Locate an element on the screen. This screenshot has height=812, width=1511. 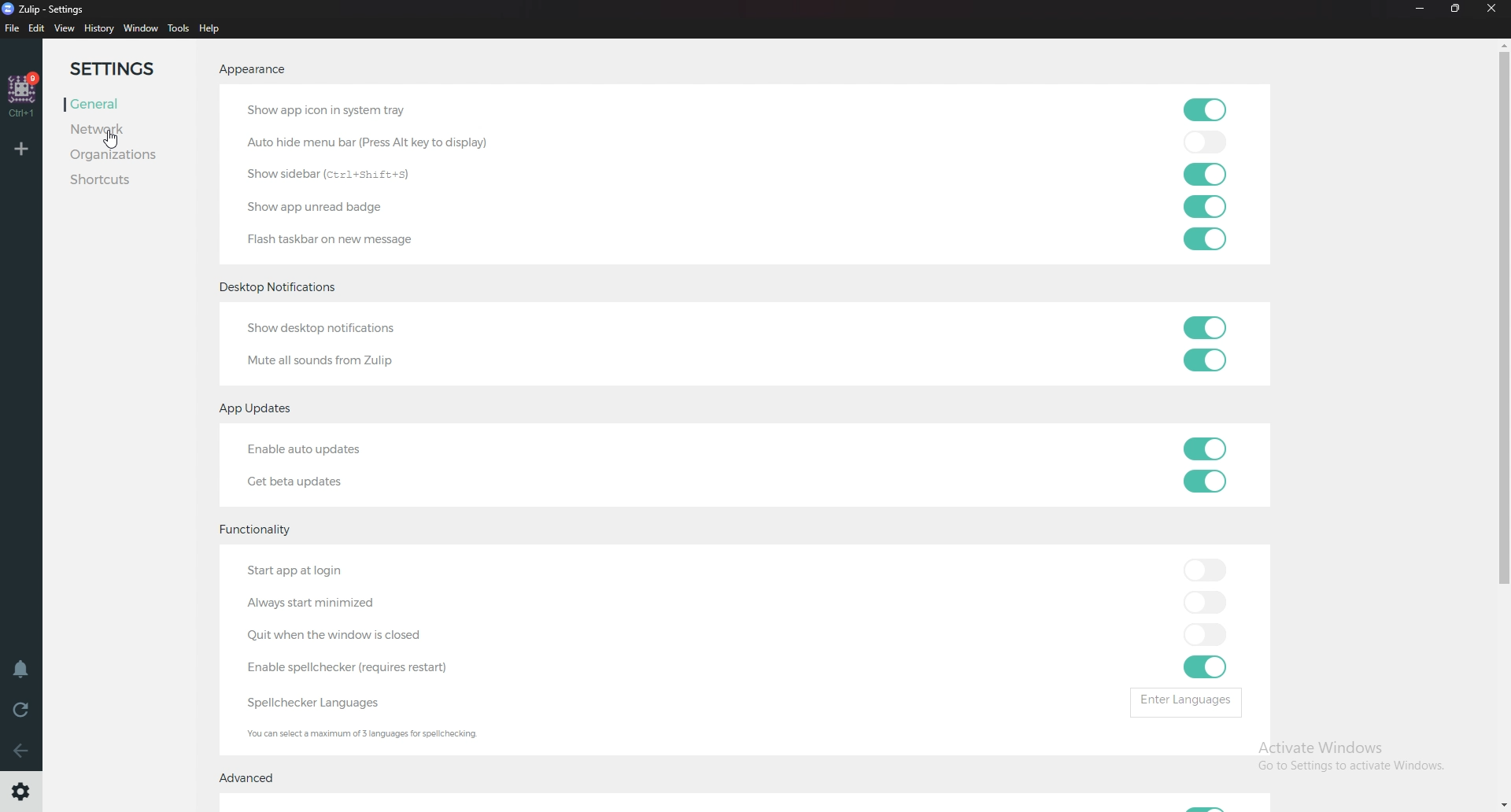
Advanced is located at coordinates (249, 779).